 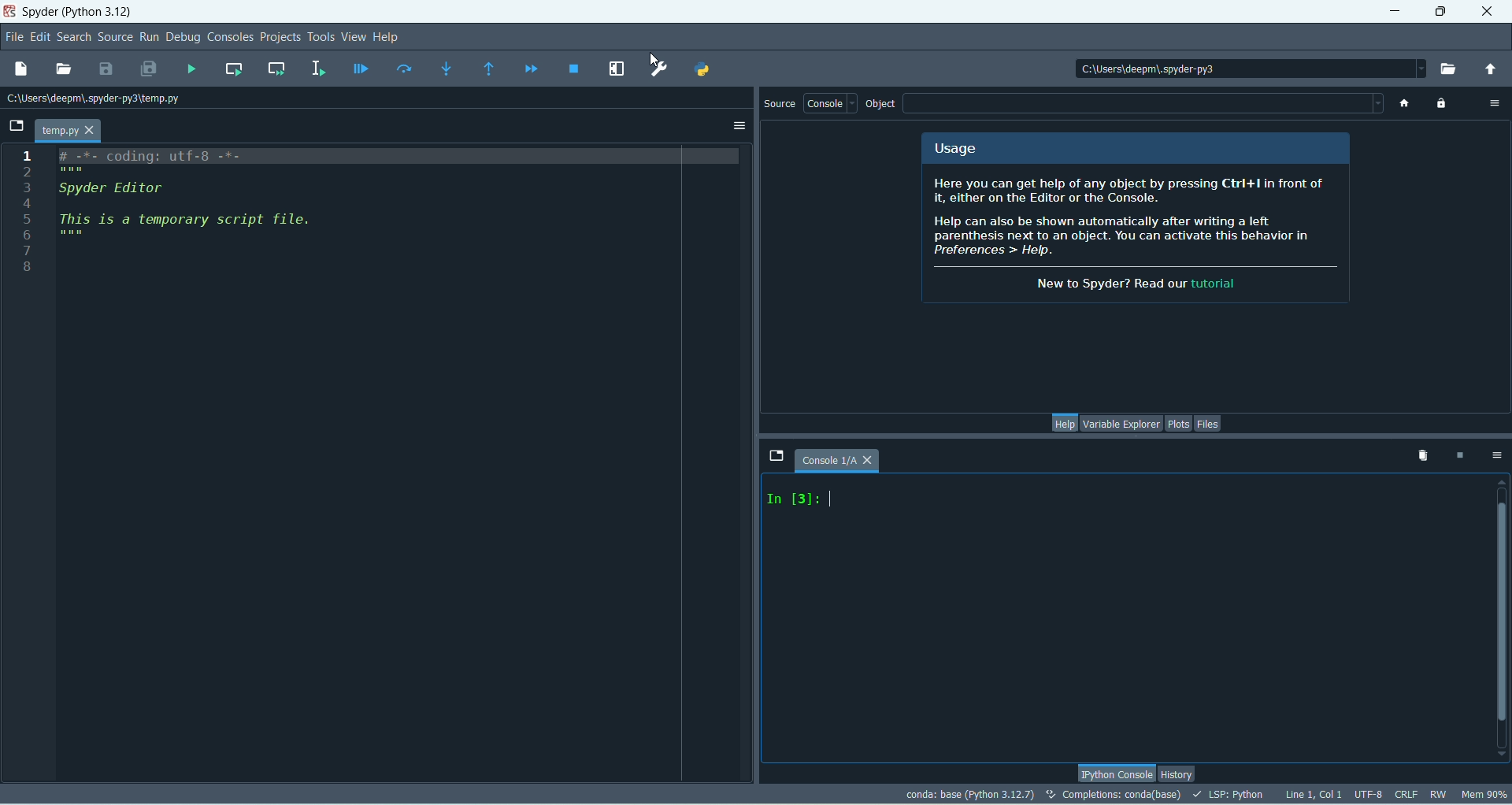 What do you see at coordinates (1113, 794) in the screenshot?
I see `completion:conda` at bounding box center [1113, 794].